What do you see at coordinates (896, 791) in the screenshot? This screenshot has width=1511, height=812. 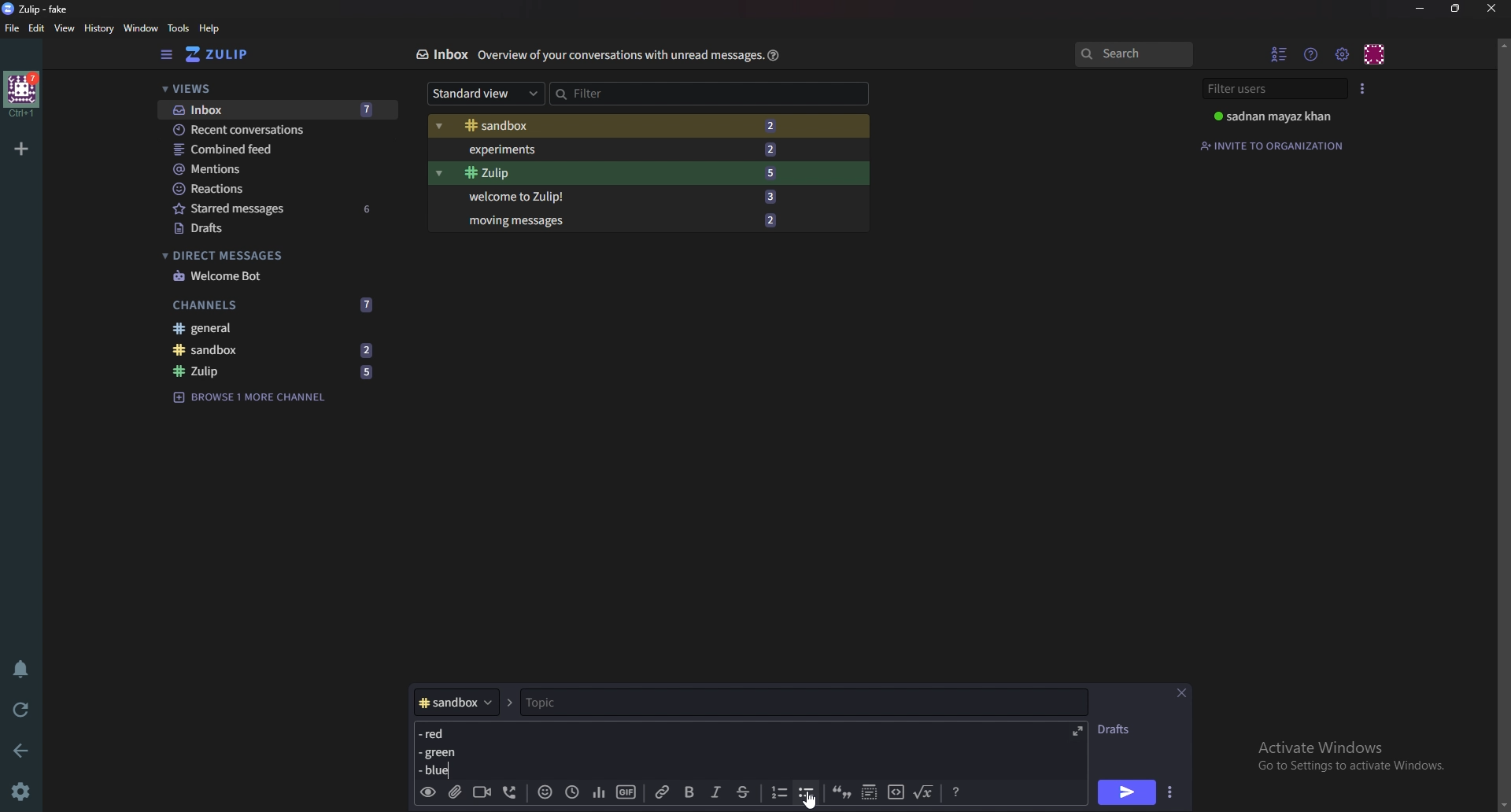 I see `code` at bounding box center [896, 791].